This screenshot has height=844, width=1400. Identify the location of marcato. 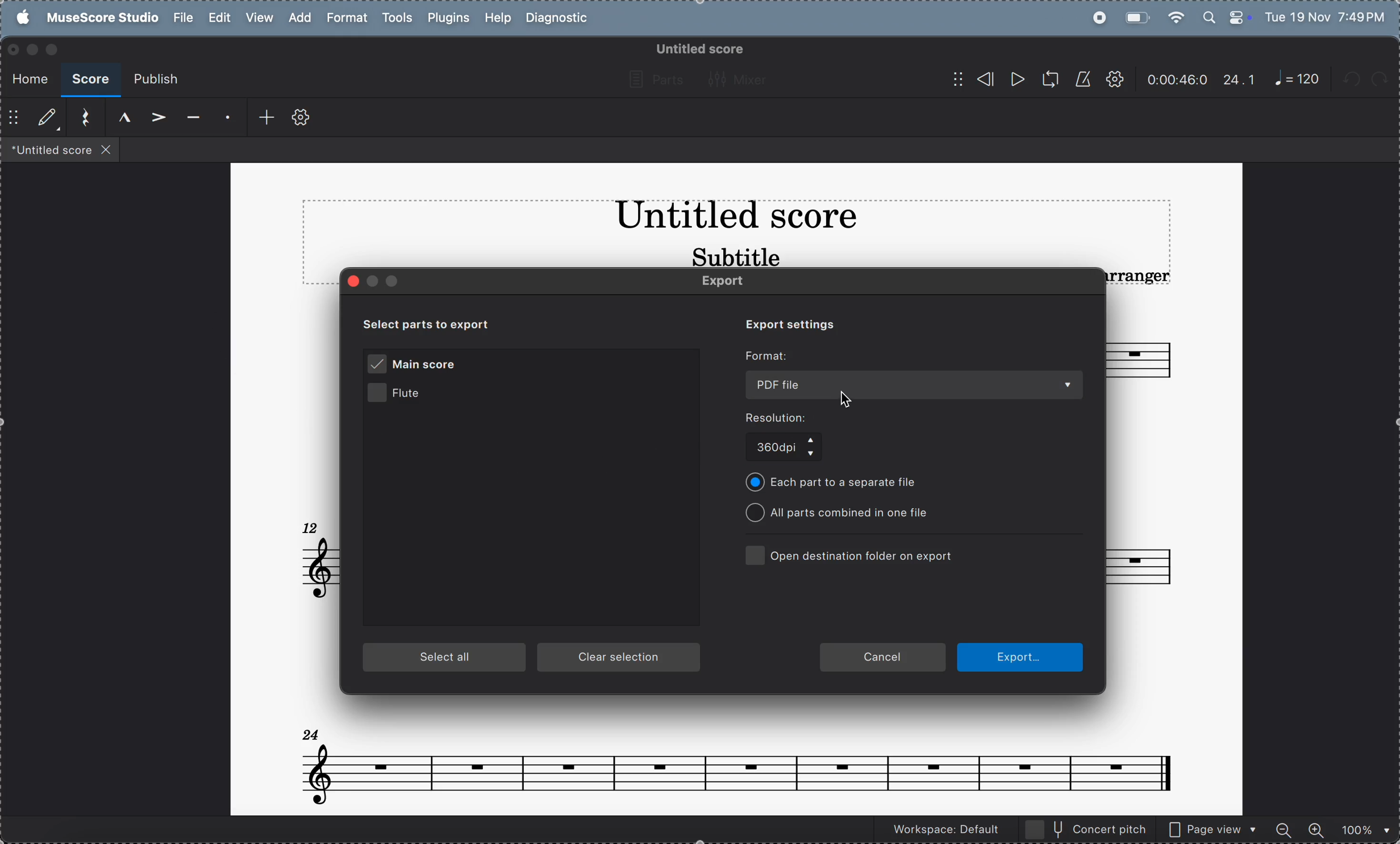
(119, 118).